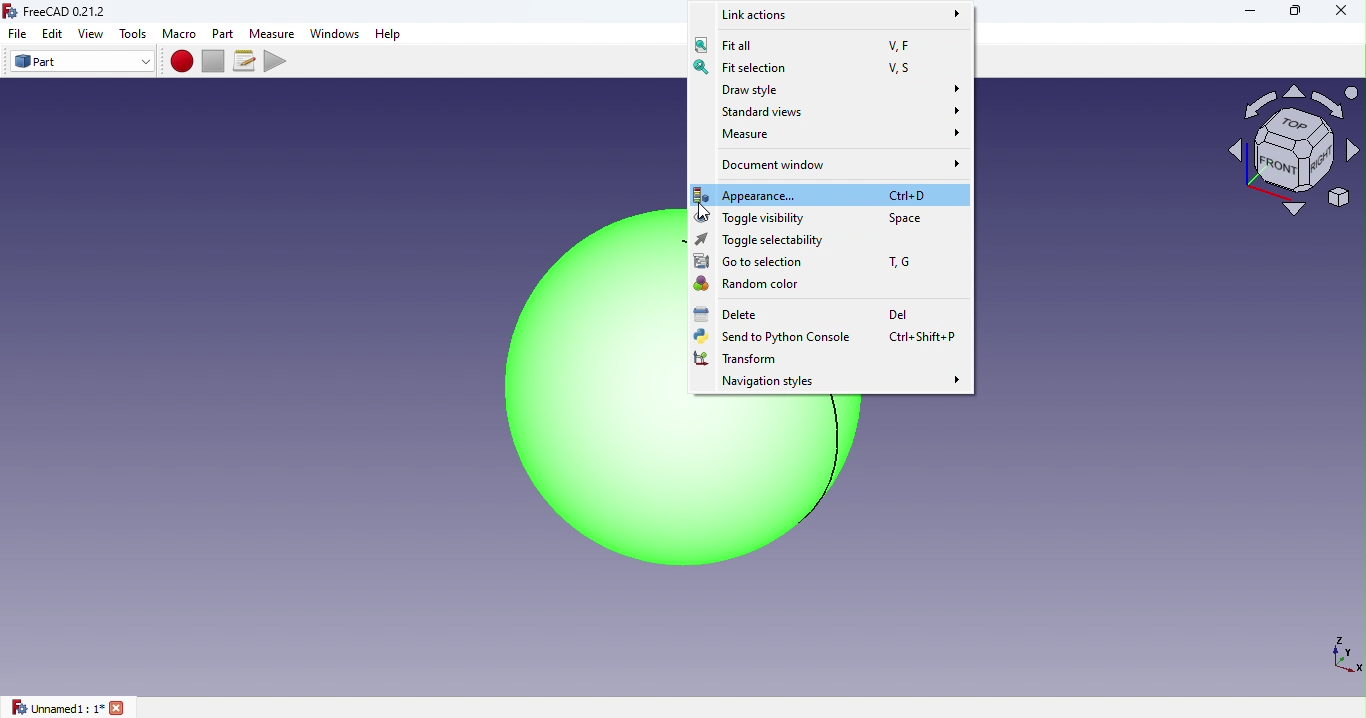 This screenshot has height=718, width=1366. Describe the element at coordinates (61, 12) in the screenshot. I see `FreeCAD logo` at that location.